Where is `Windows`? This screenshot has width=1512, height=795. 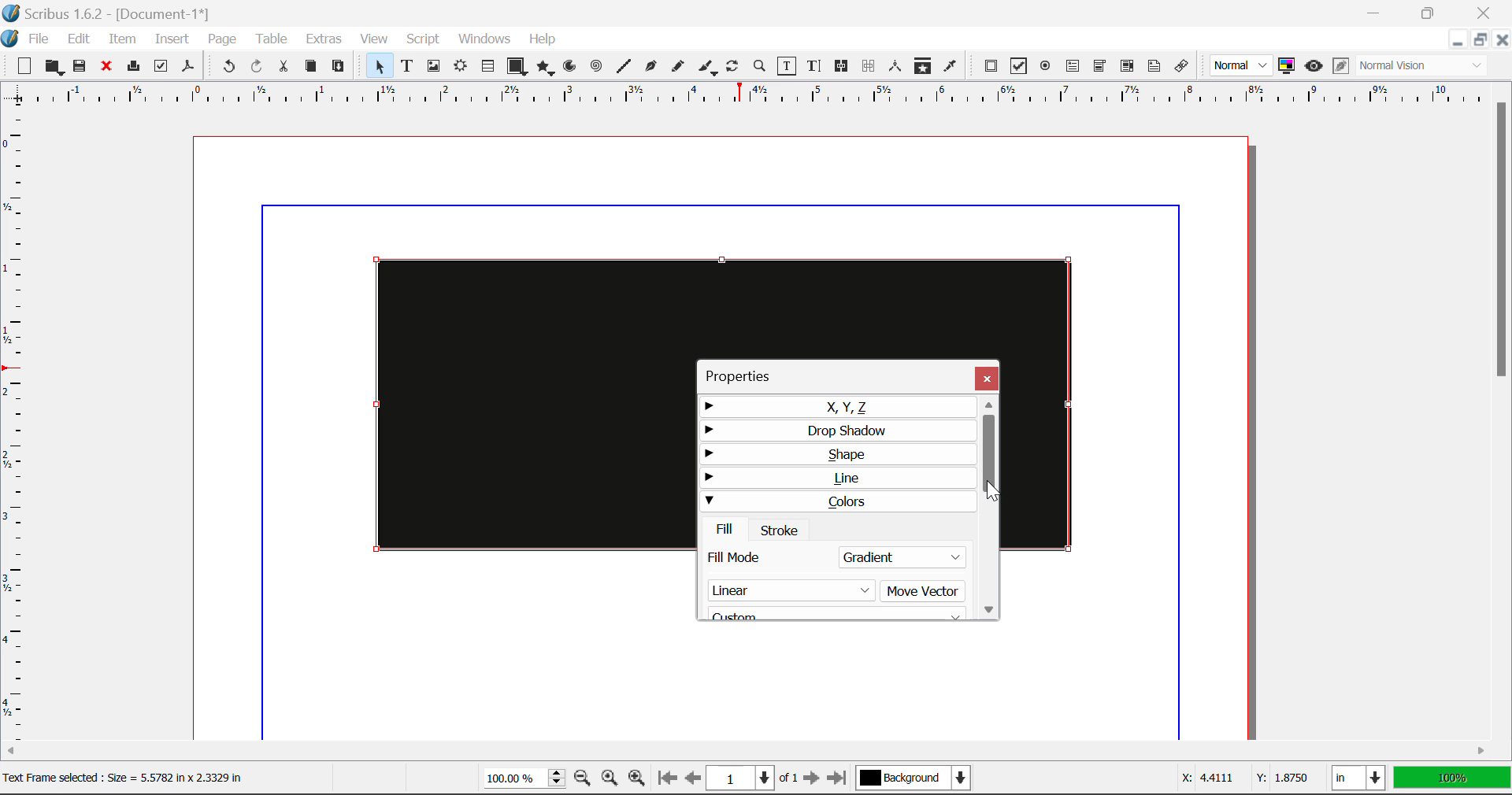
Windows is located at coordinates (483, 39).